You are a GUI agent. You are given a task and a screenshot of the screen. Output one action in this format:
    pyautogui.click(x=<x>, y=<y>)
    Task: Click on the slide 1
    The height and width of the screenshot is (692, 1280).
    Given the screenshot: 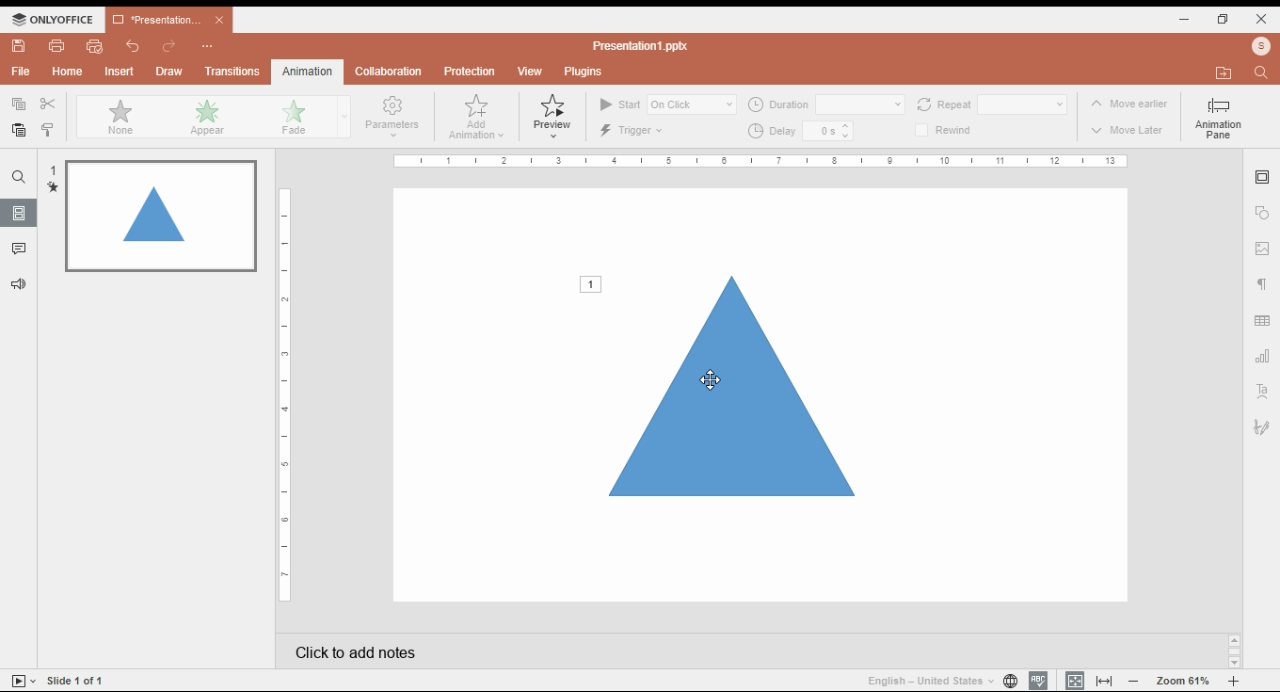 What is the action you would take?
    pyautogui.click(x=152, y=214)
    